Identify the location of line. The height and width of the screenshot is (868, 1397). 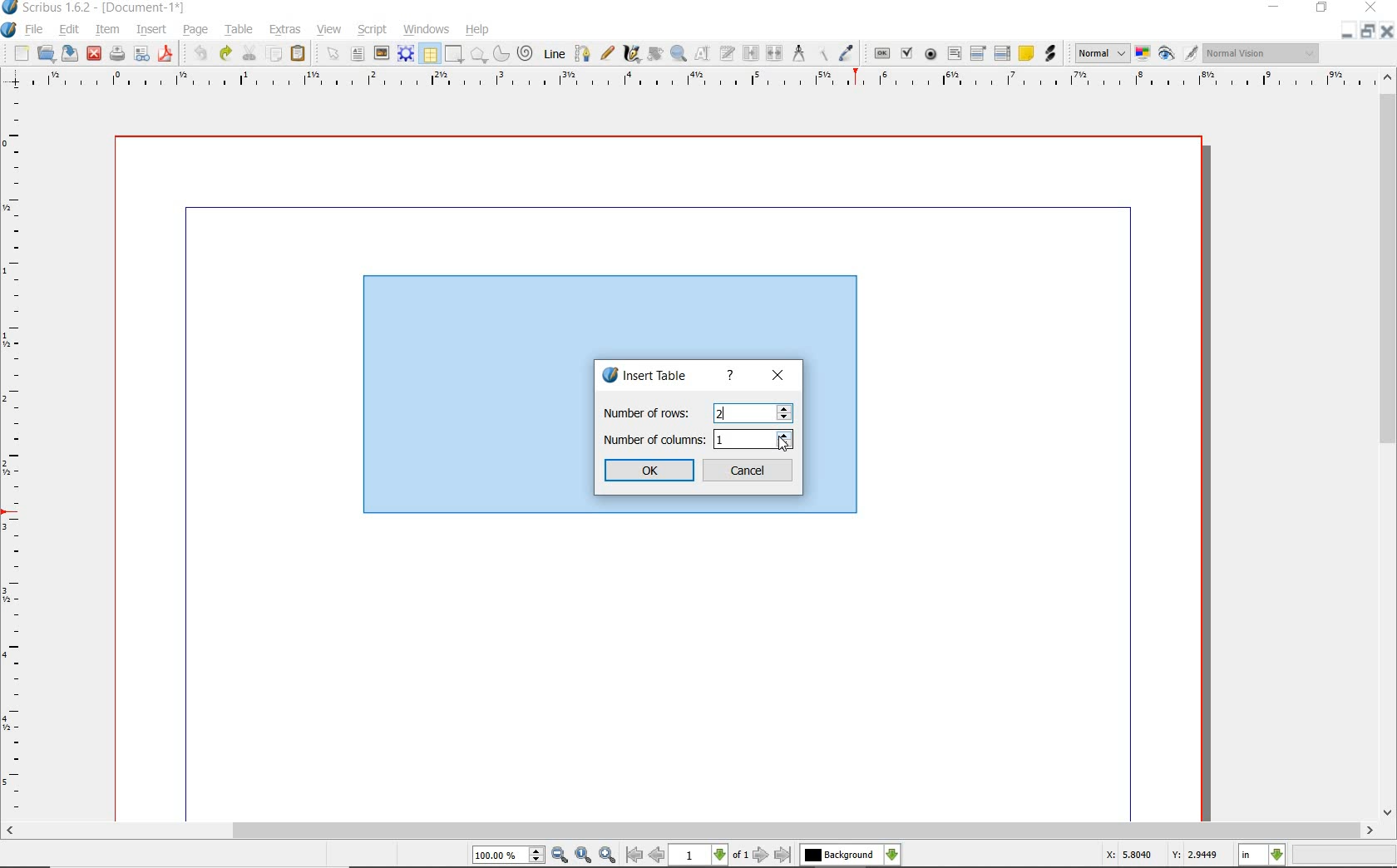
(555, 52).